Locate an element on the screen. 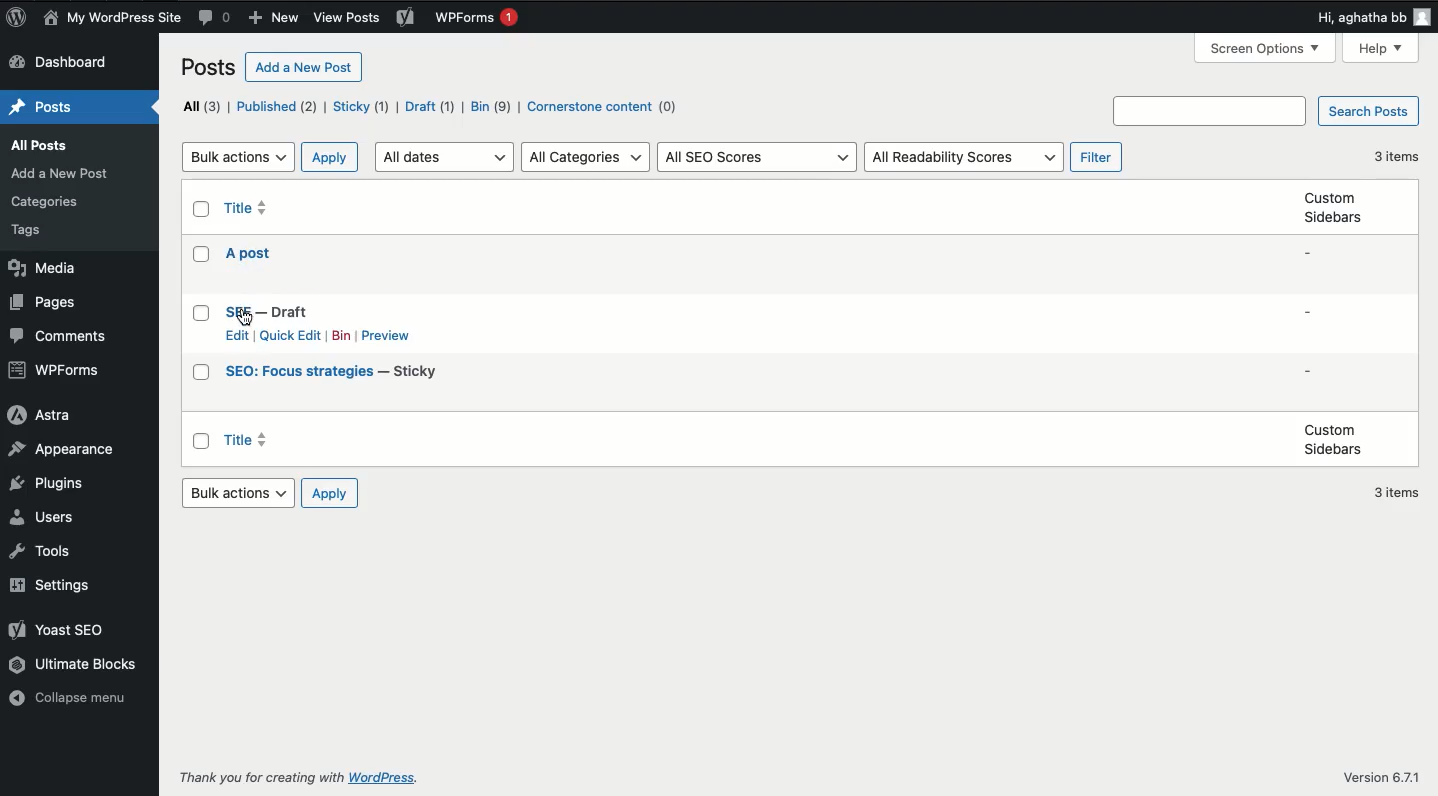 The image size is (1438, 796). WPForms is located at coordinates (57, 367).